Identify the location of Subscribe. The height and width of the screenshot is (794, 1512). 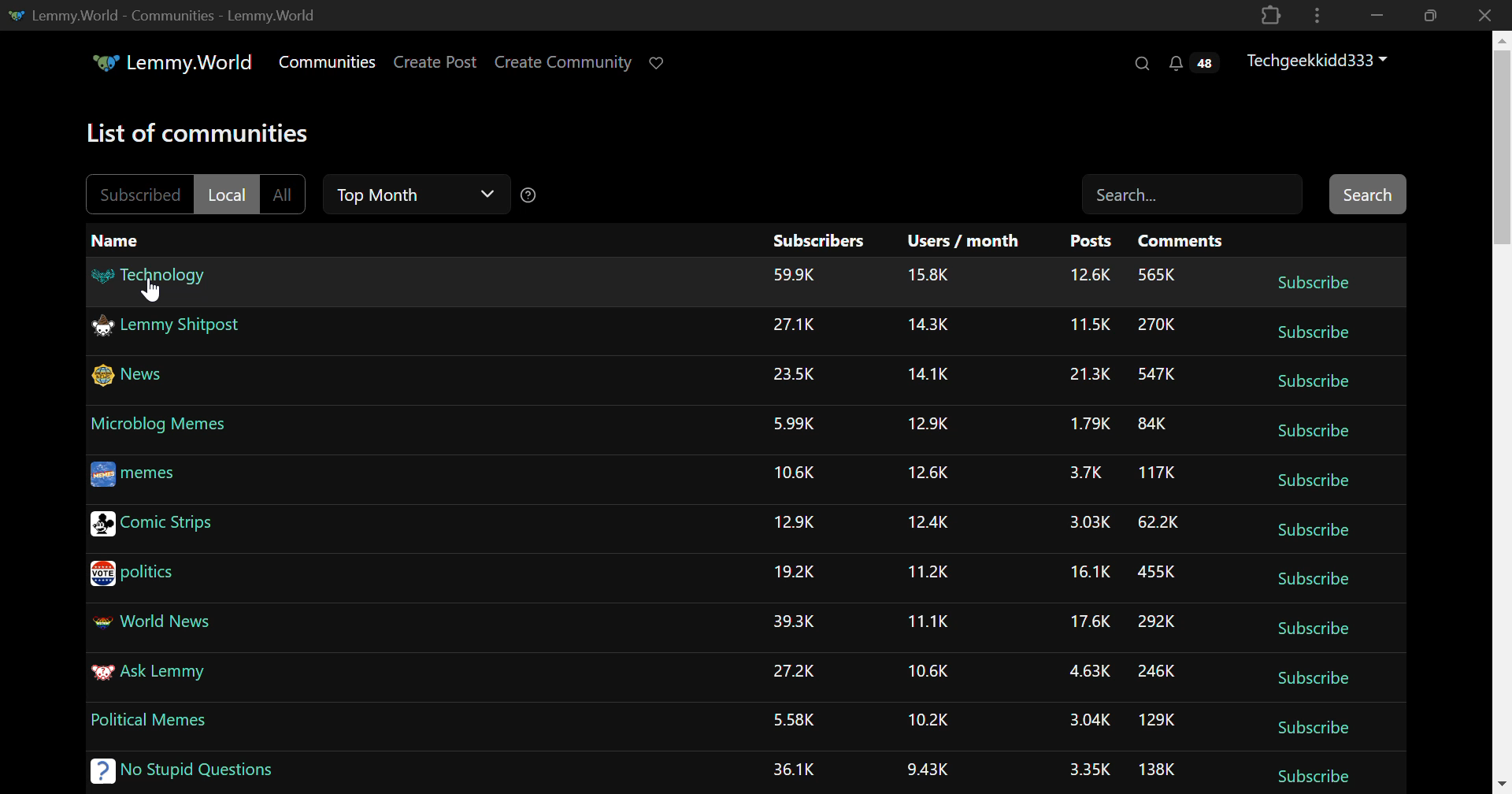
(1314, 629).